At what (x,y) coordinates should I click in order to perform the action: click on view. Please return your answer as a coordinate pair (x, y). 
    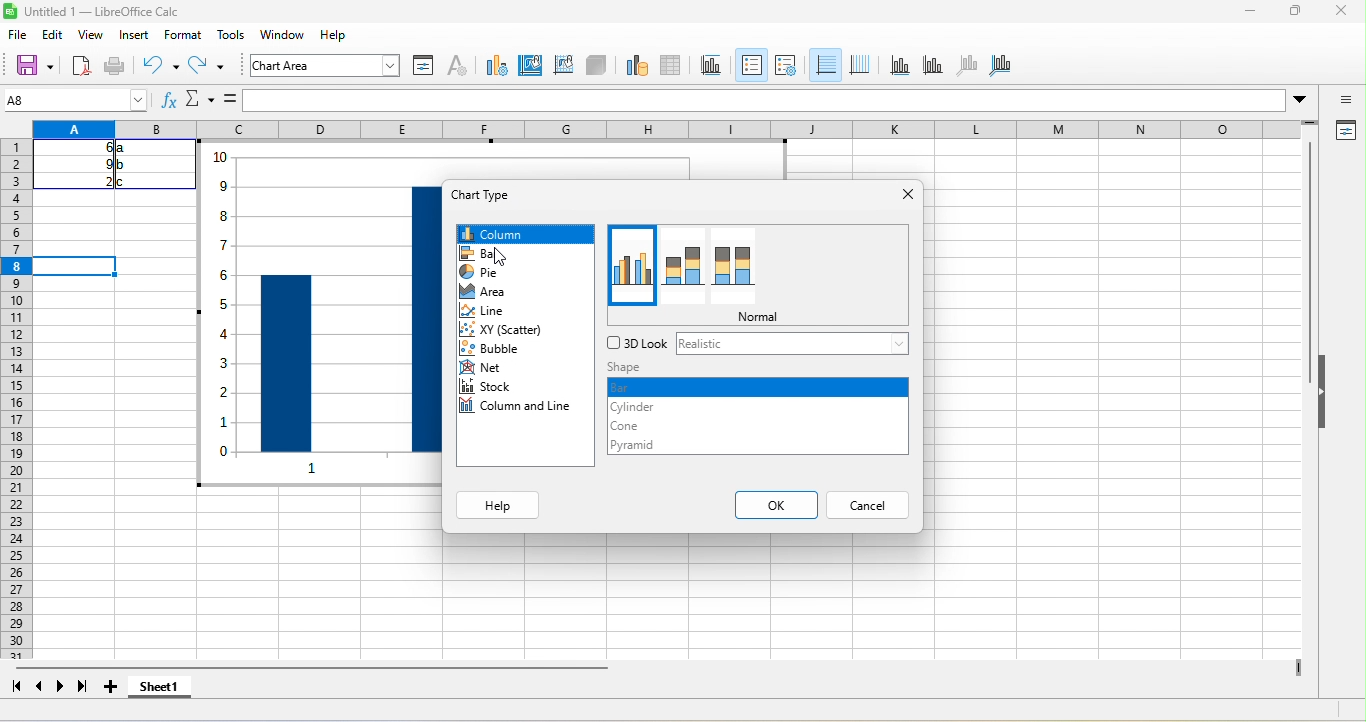
    Looking at the image, I should click on (94, 34).